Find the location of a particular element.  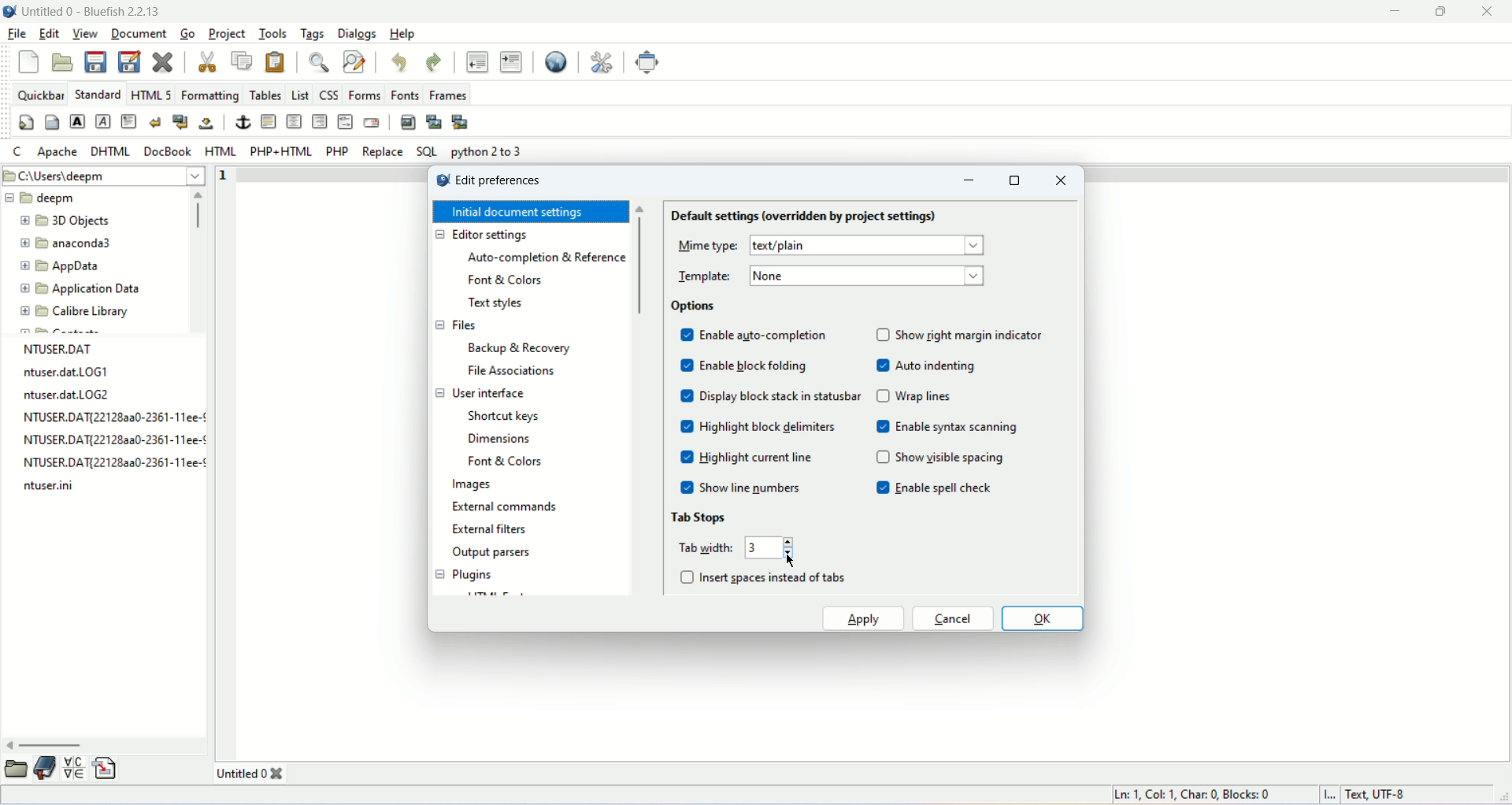

Untitled 0  is located at coordinates (254, 772).